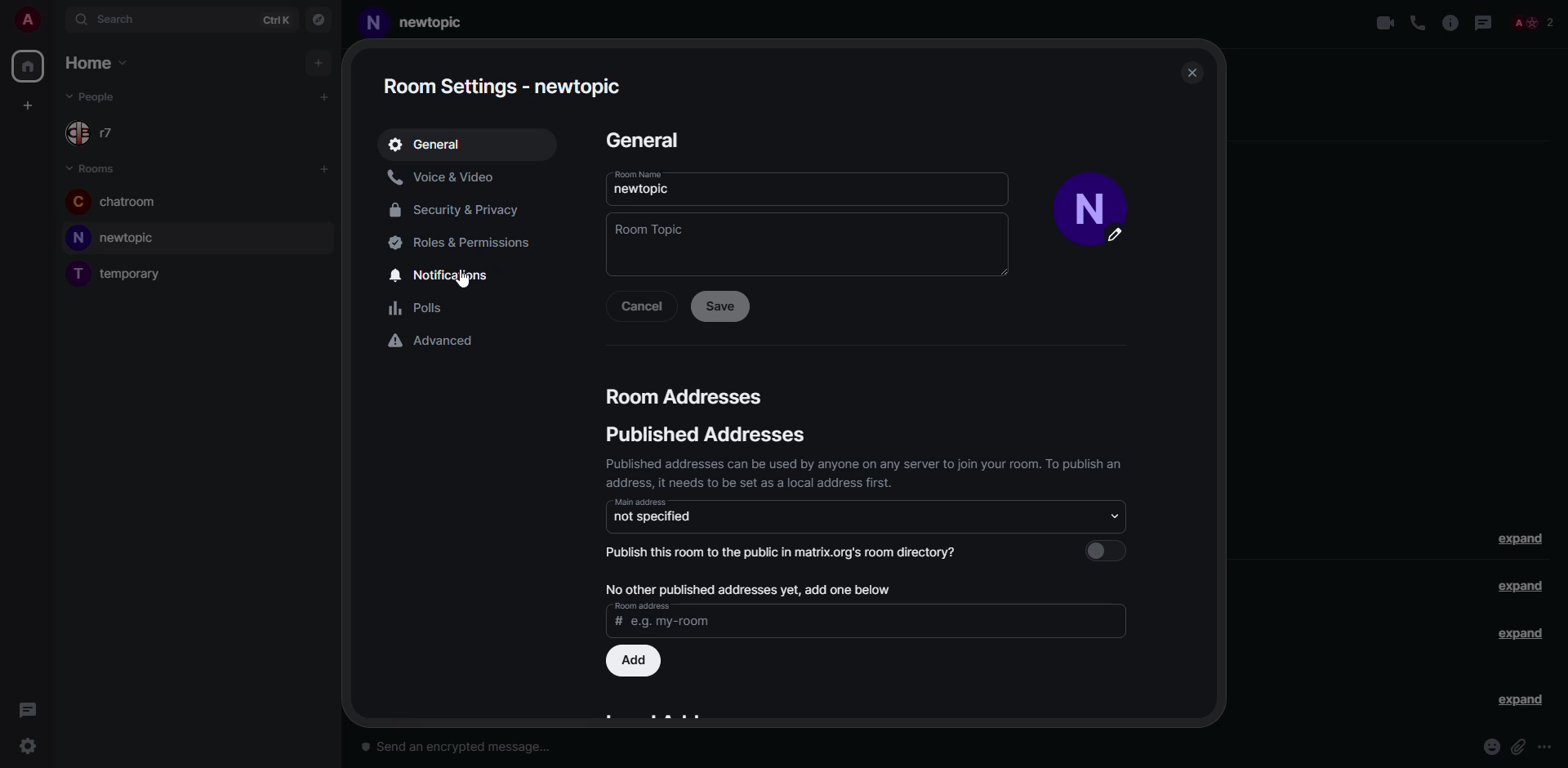 The width and height of the screenshot is (1568, 768). What do you see at coordinates (635, 659) in the screenshot?
I see `add` at bounding box center [635, 659].